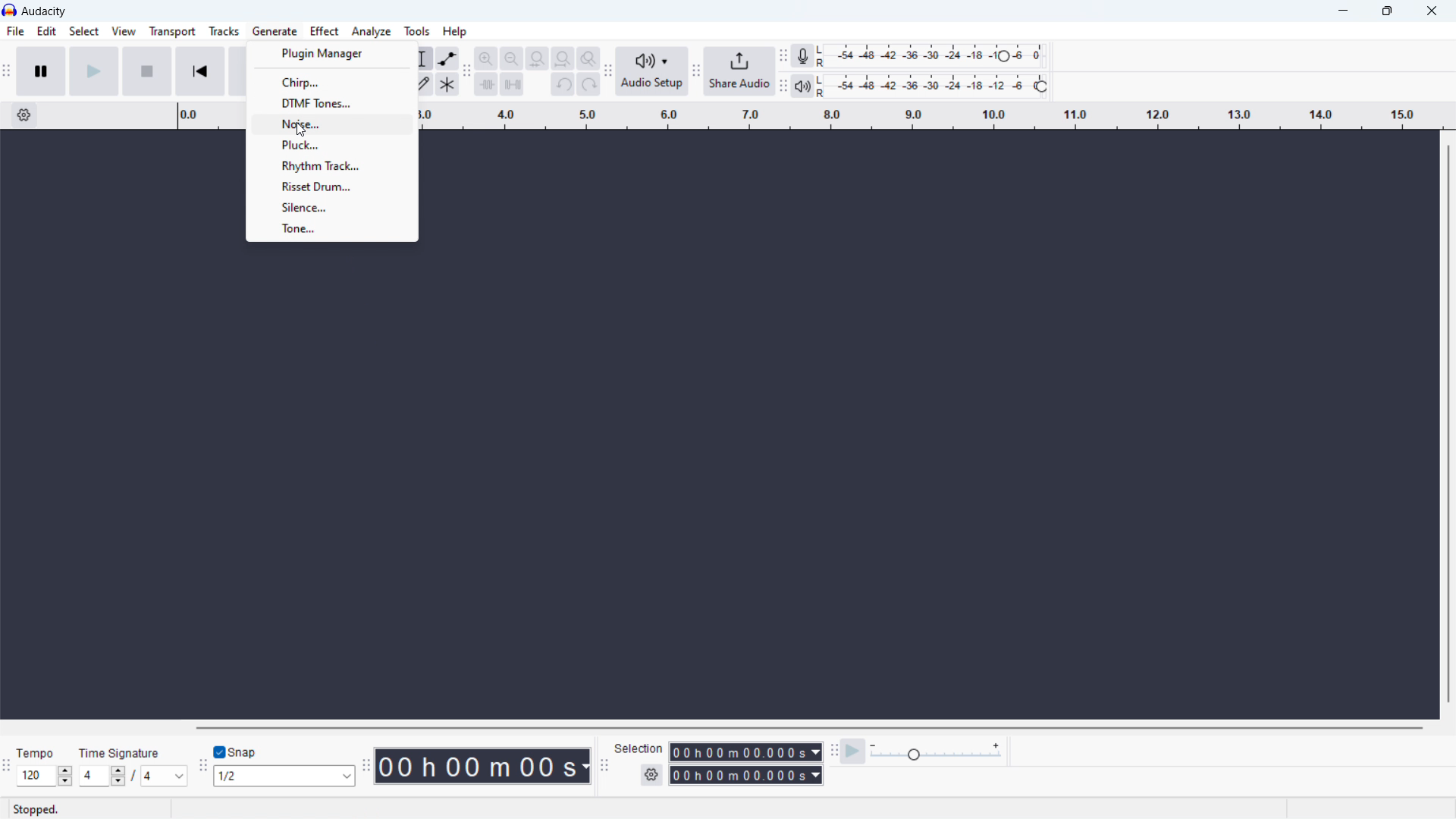 This screenshot has width=1456, height=819. I want to click on risset drum, so click(331, 187).